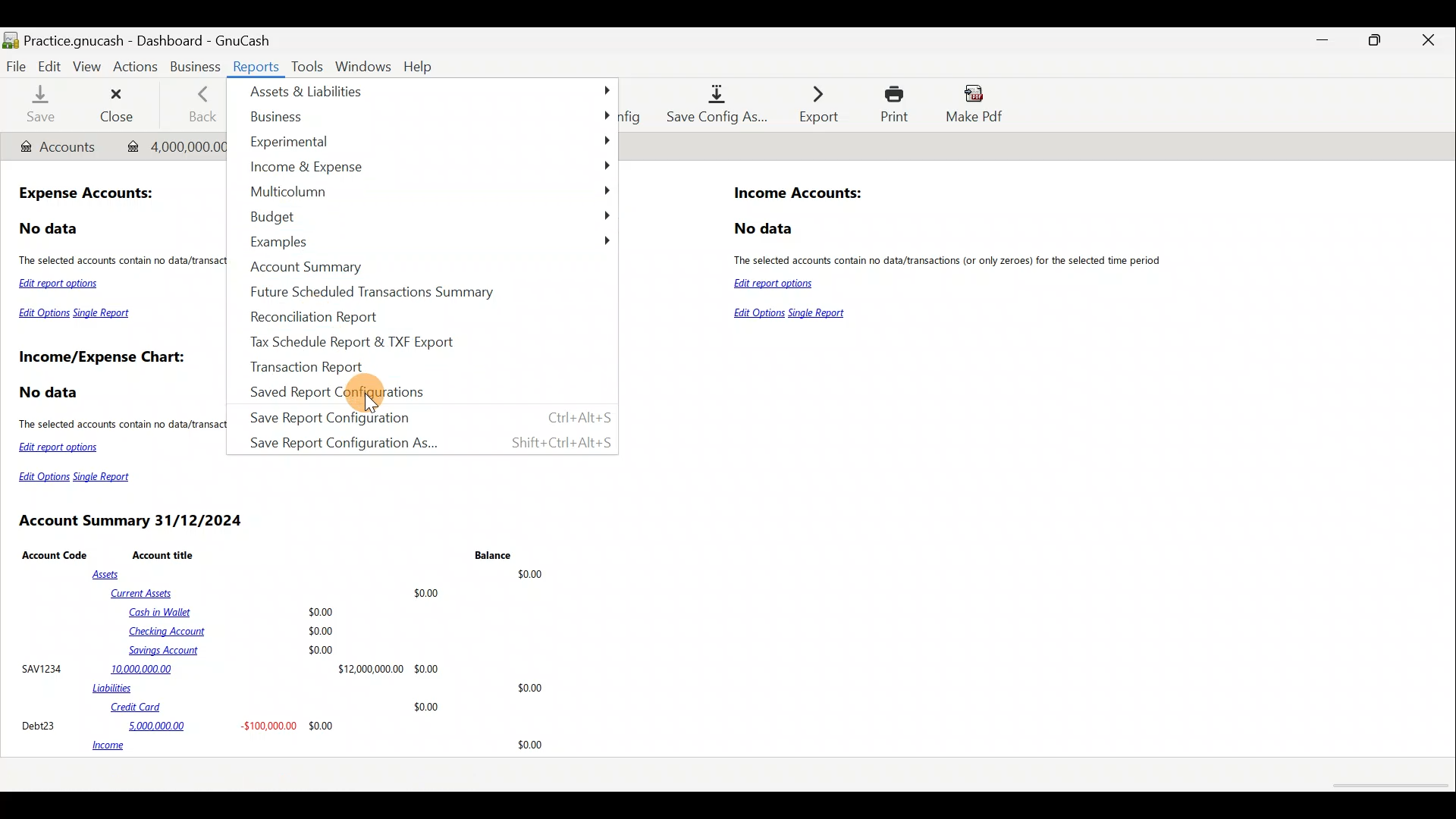 The width and height of the screenshot is (1456, 819). Describe the element at coordinates (276, 708) in the screenshot. I see `Credit Card $0.00` at that location.